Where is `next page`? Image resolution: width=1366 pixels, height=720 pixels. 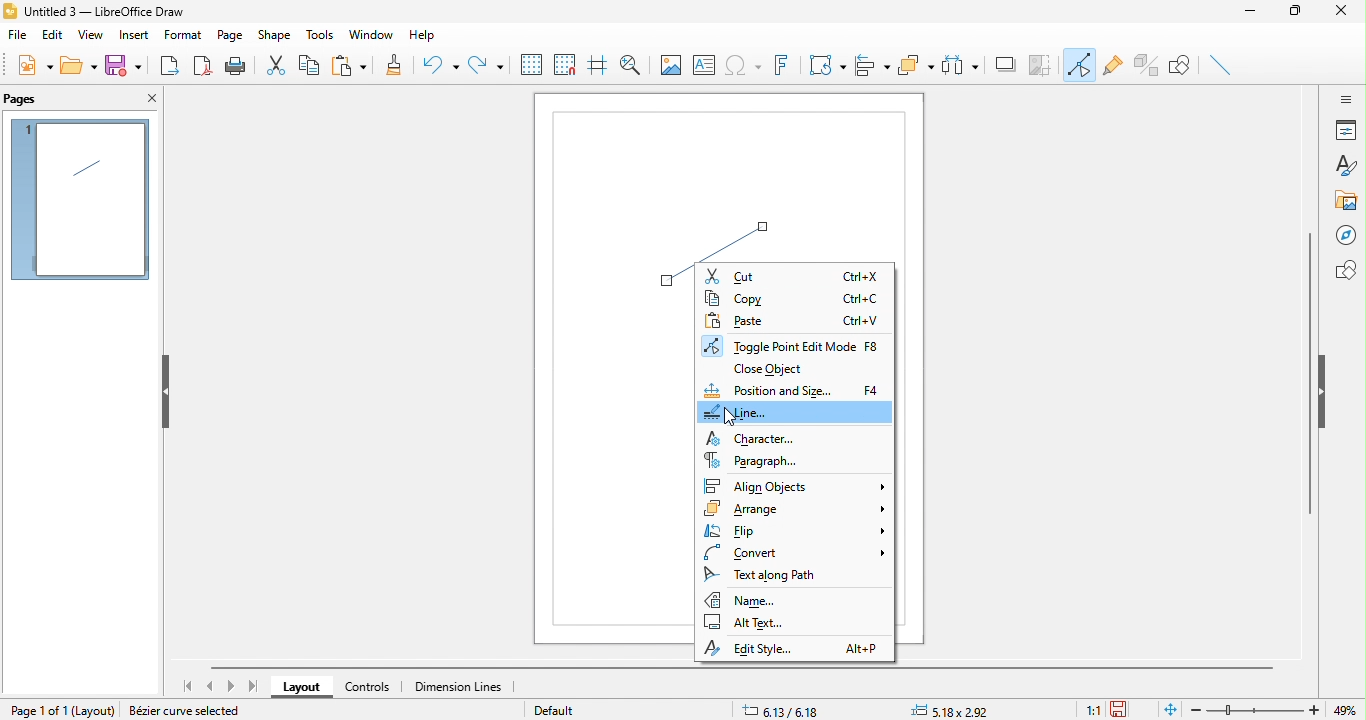
next page is located at coordinates (231, 687).